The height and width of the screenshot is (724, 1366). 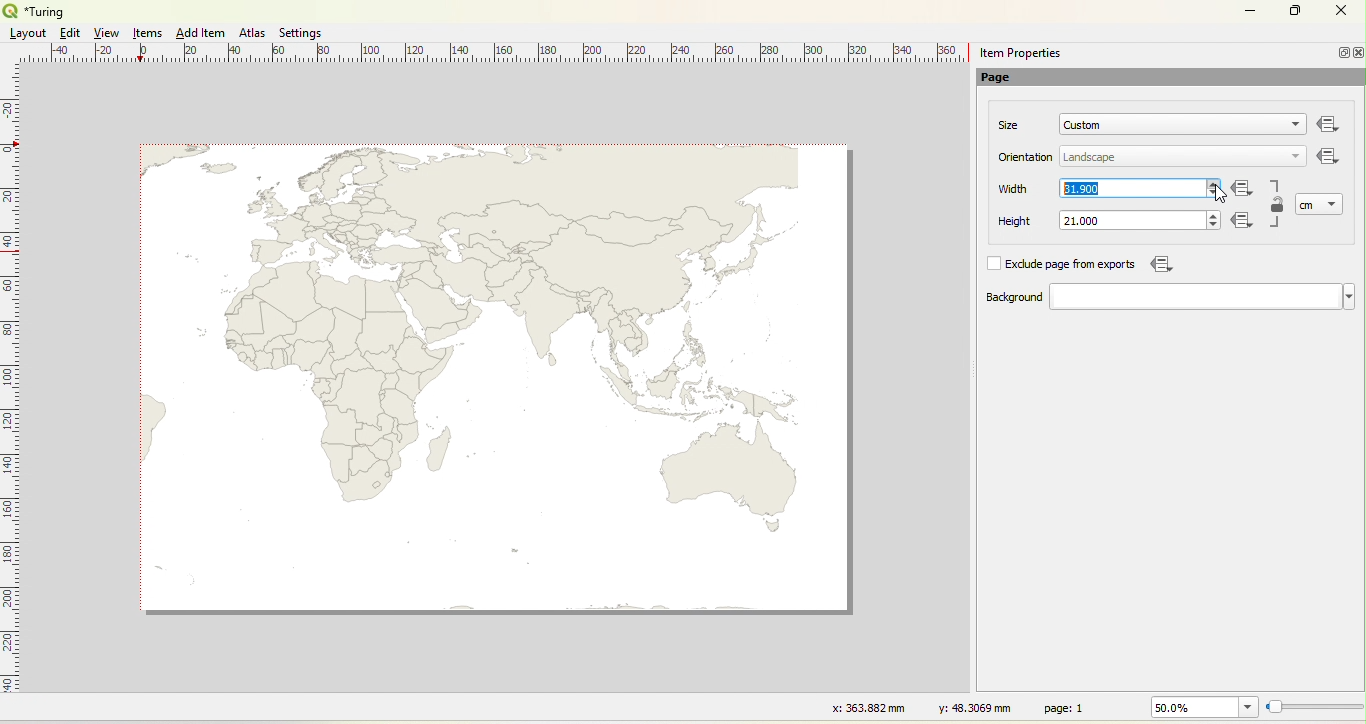 I want to click on , so click(x=1329, y=125).